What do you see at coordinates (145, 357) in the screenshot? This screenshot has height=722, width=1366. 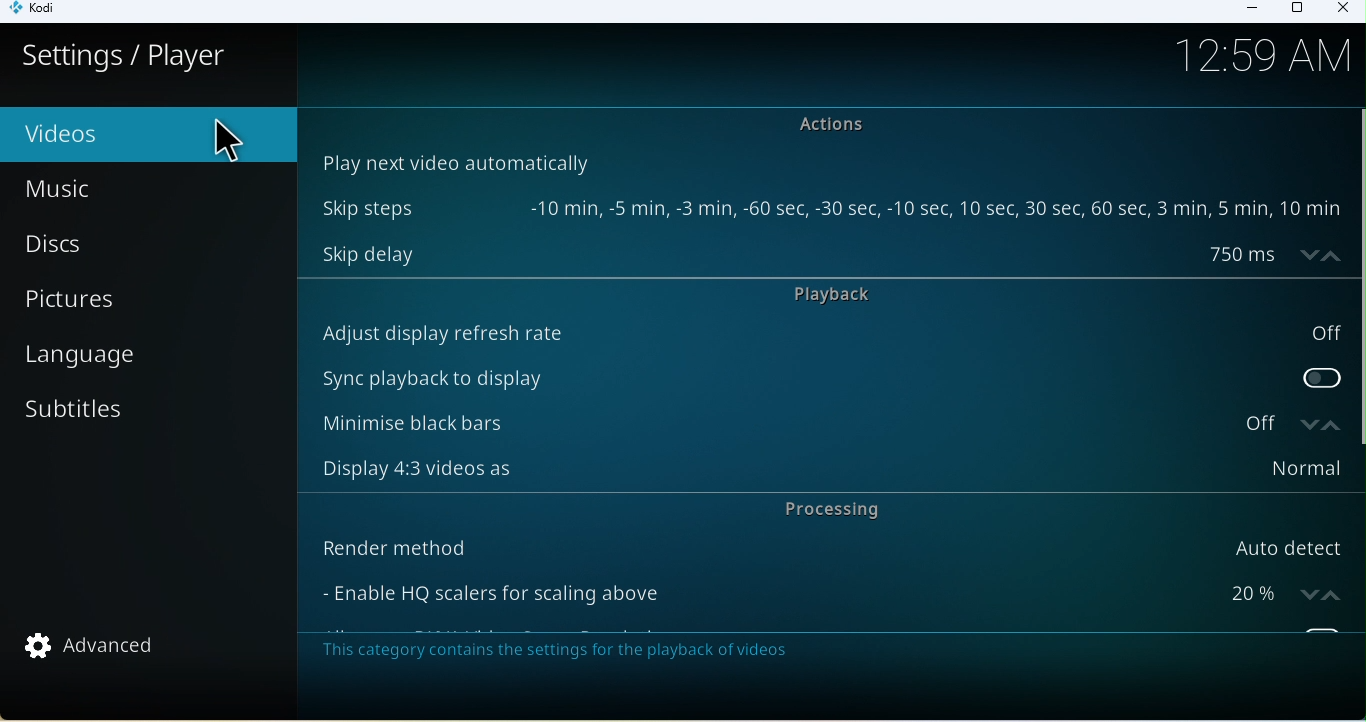 I see `Language` at bounding box center [145, 357].